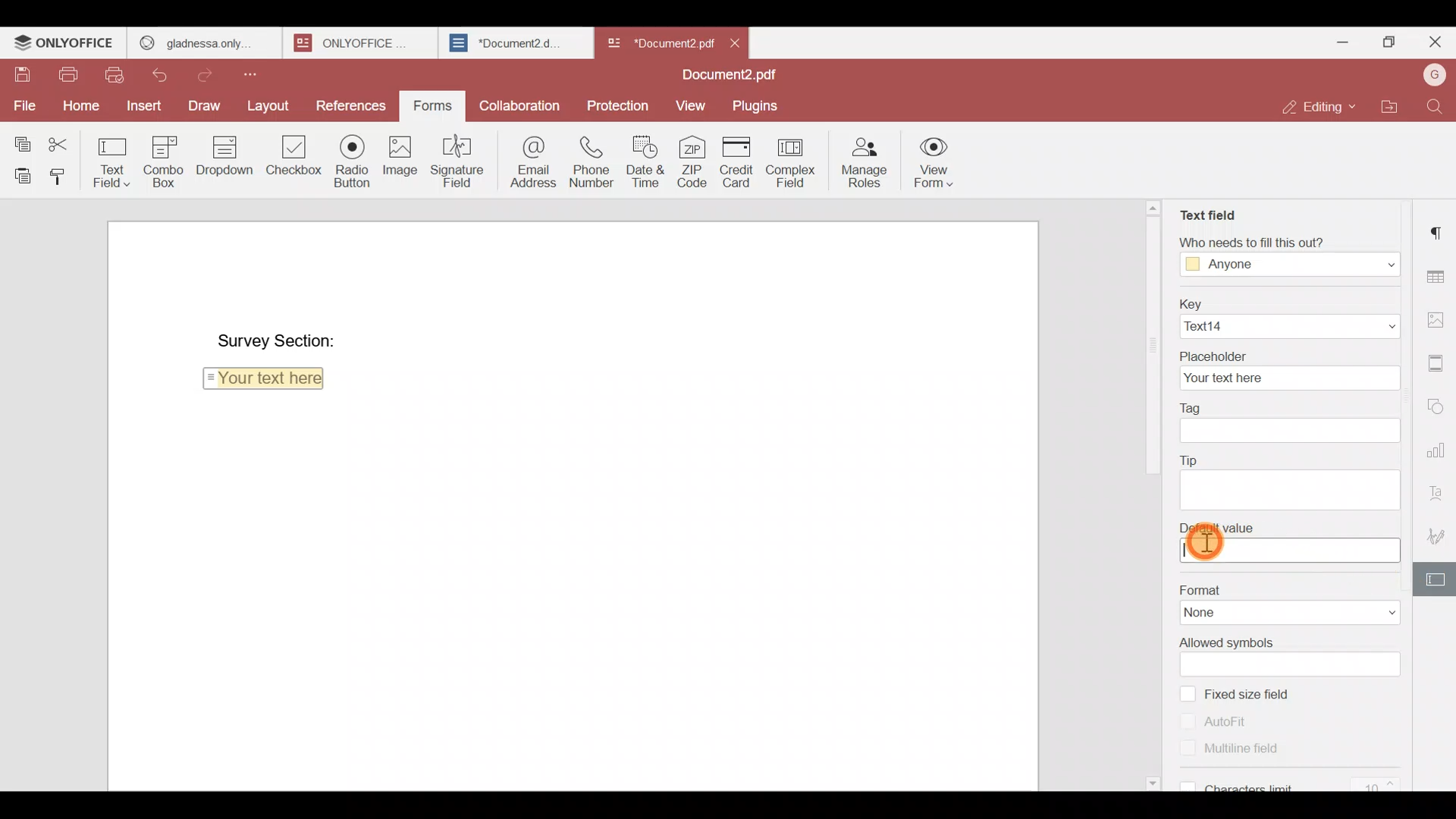 This screenshot has height=819, width=1456. I want to click on Quick print, so click(120, 75).